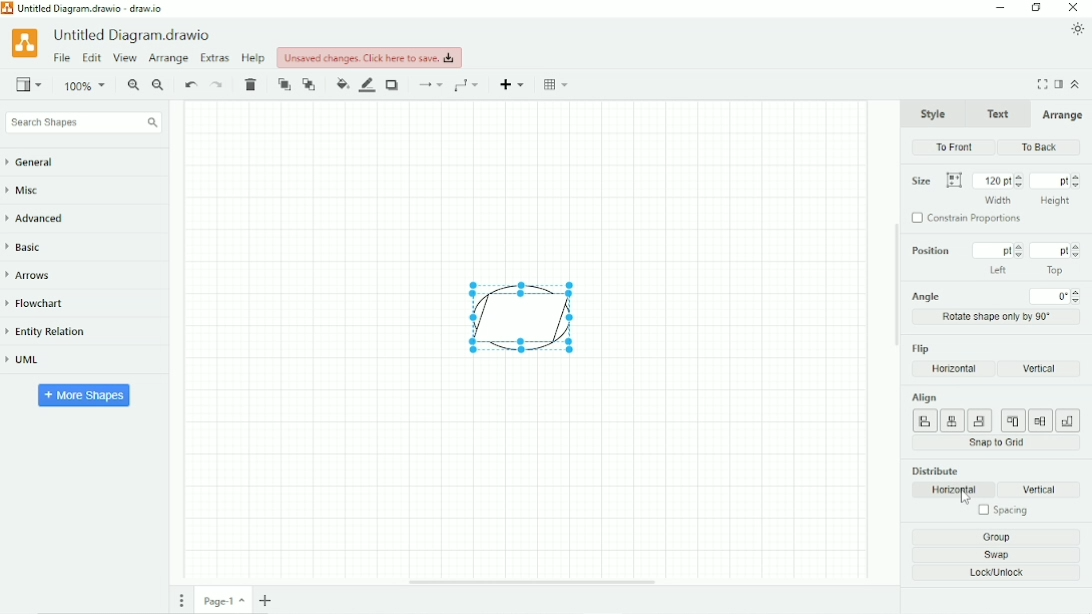  I want to click on Connection, so click(429, 85).